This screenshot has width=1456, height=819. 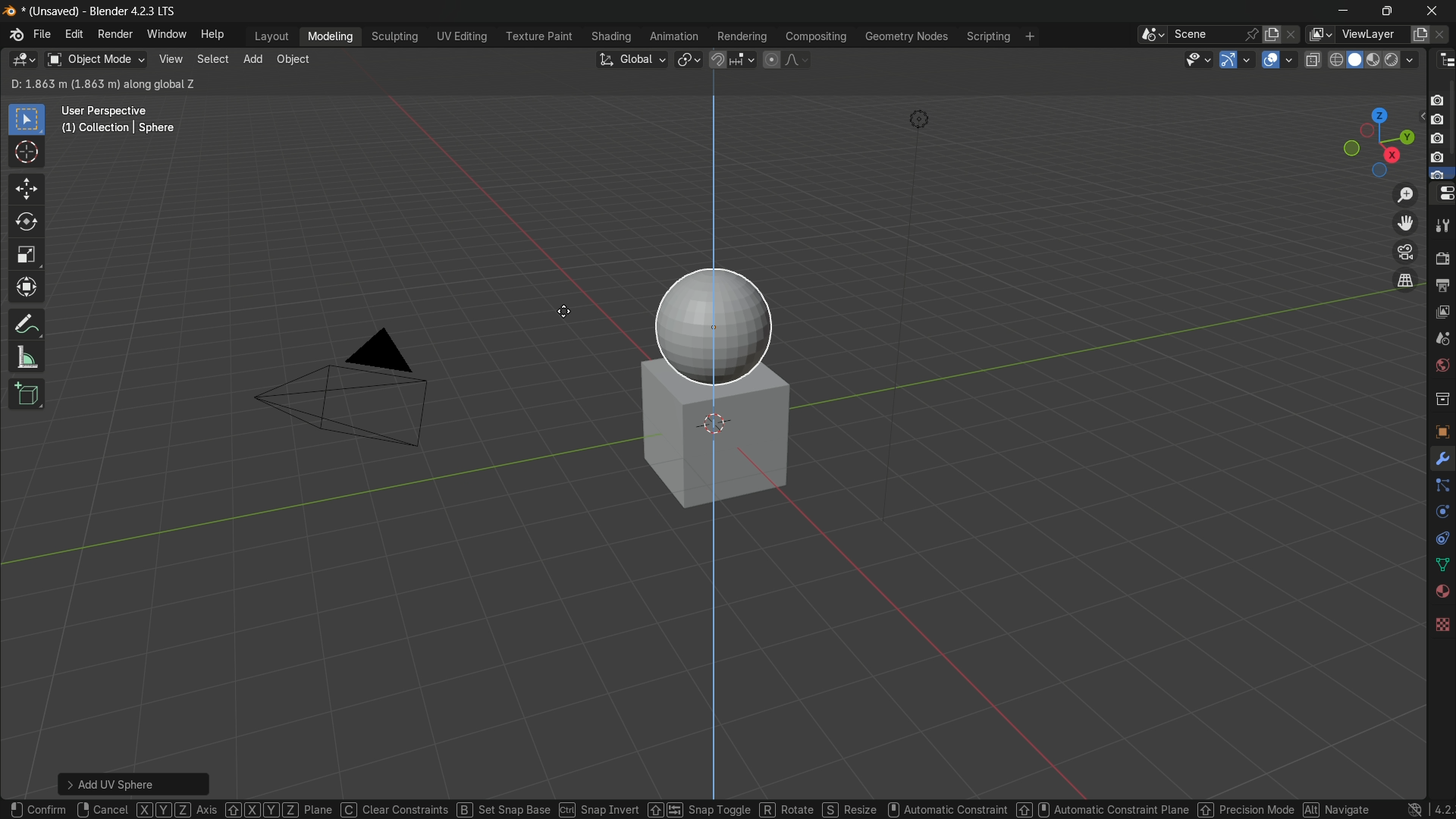 I want to click on view layer name, so click(x=1372, y=34).